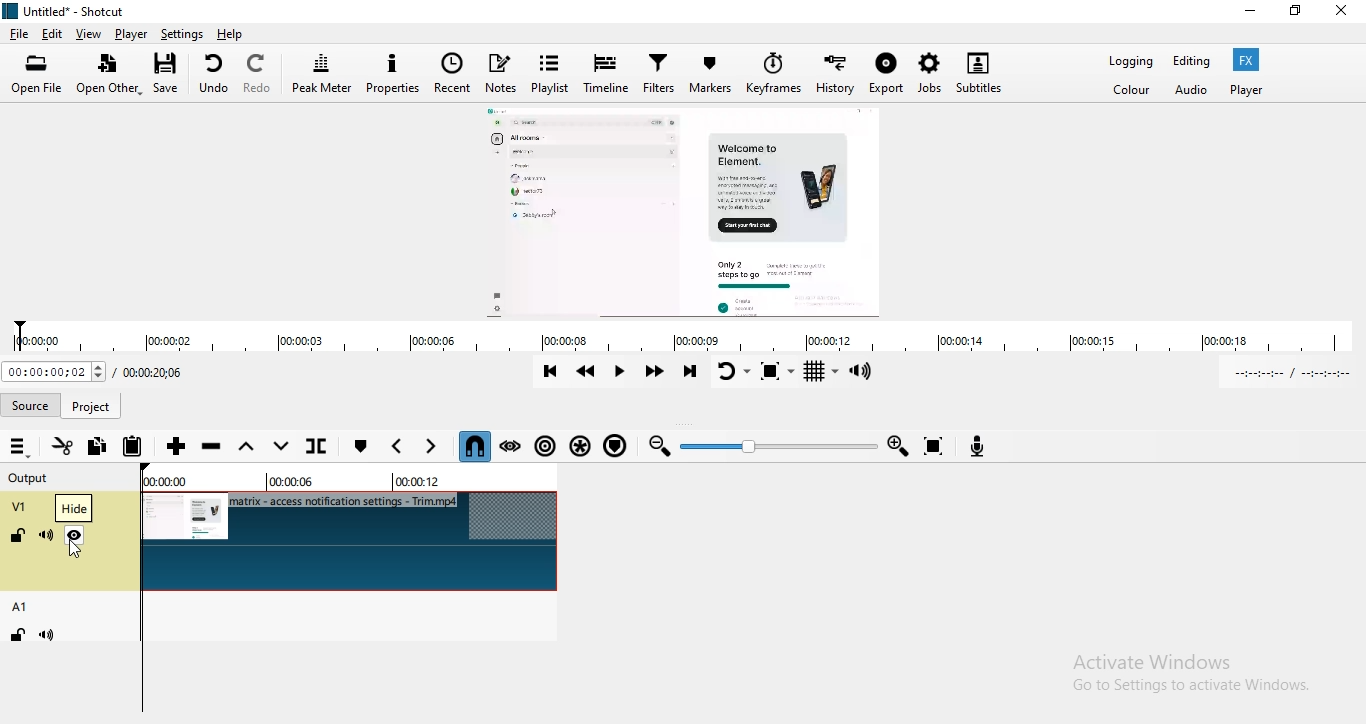 The height and width of the screenshot is (724, 1366). Describe the element at coordinates (688, 210) in the screenshot. I see `visible media view` at that location.